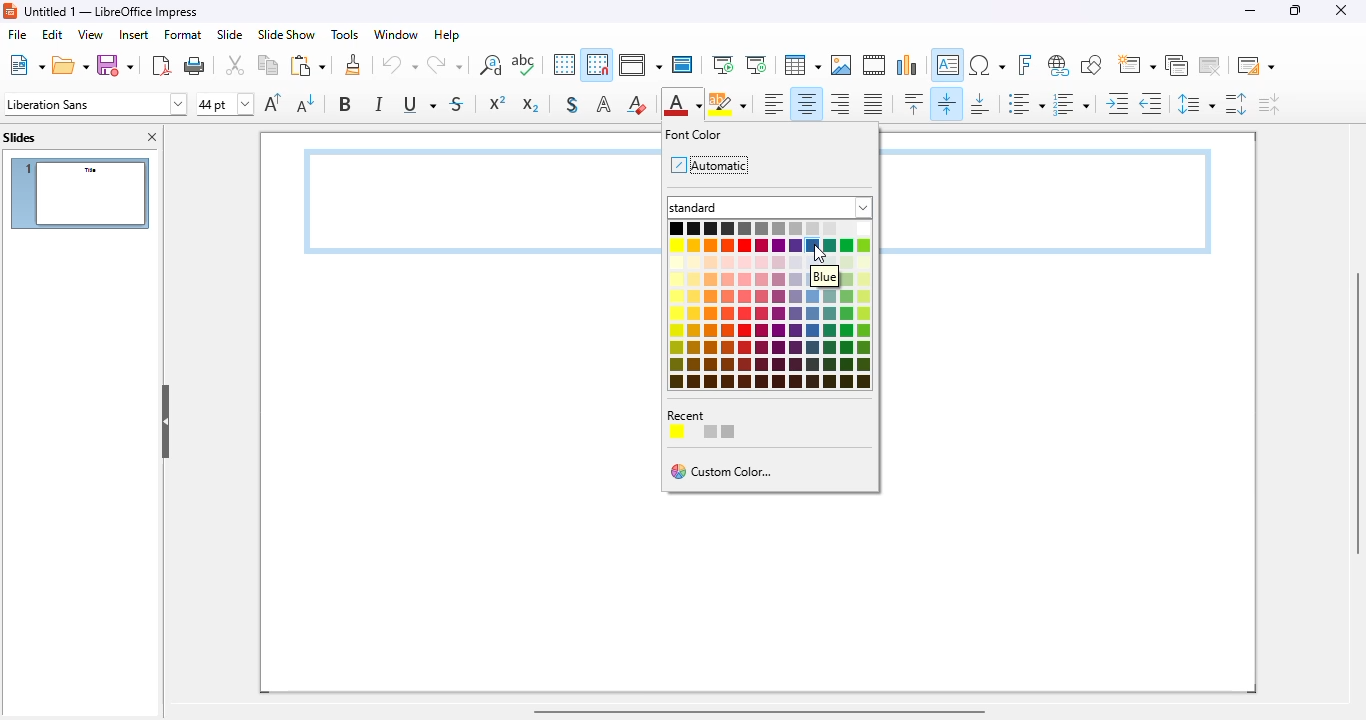 The height and width of the screenshot is (720, 1366). What do you see at coordinates (225, 104) in the screenshot?
I see `font size` at bounding box center [225, 104].